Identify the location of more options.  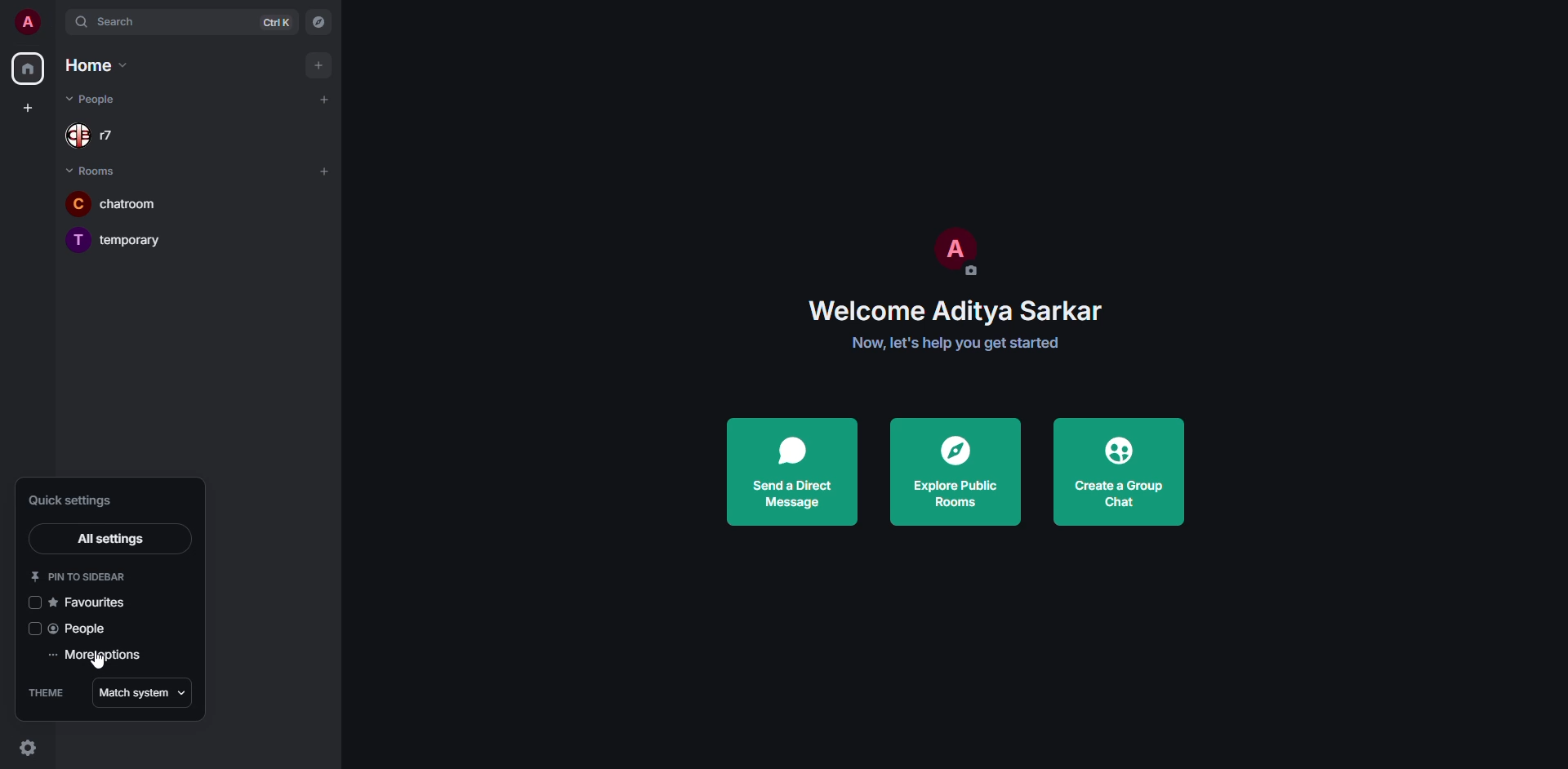
(99, 655).